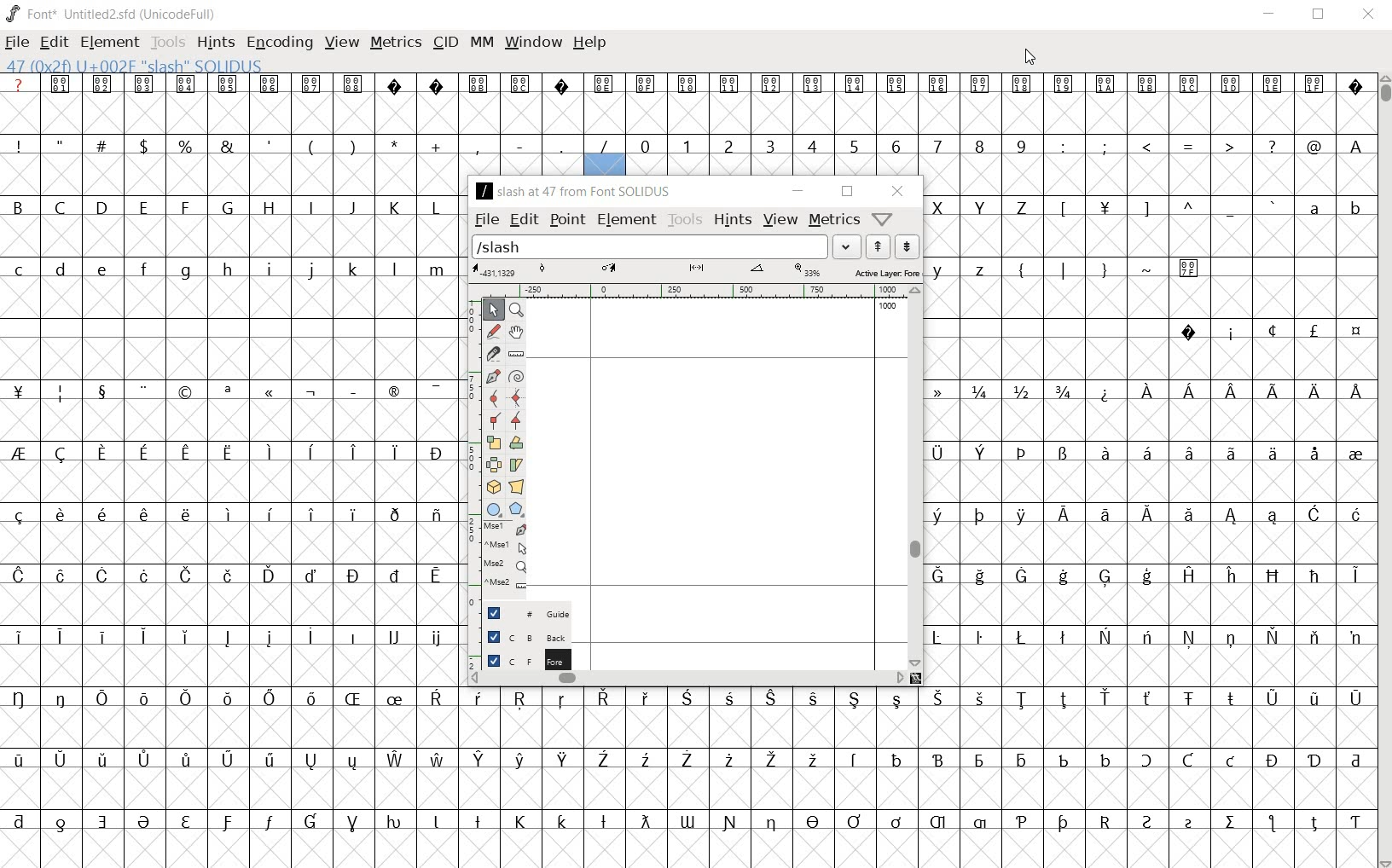 Image resolution: width=1392 pixels, height=868 pixels. Describe the element at coordinates (238, 391) in the screenshot. I see `symbols` at that location.